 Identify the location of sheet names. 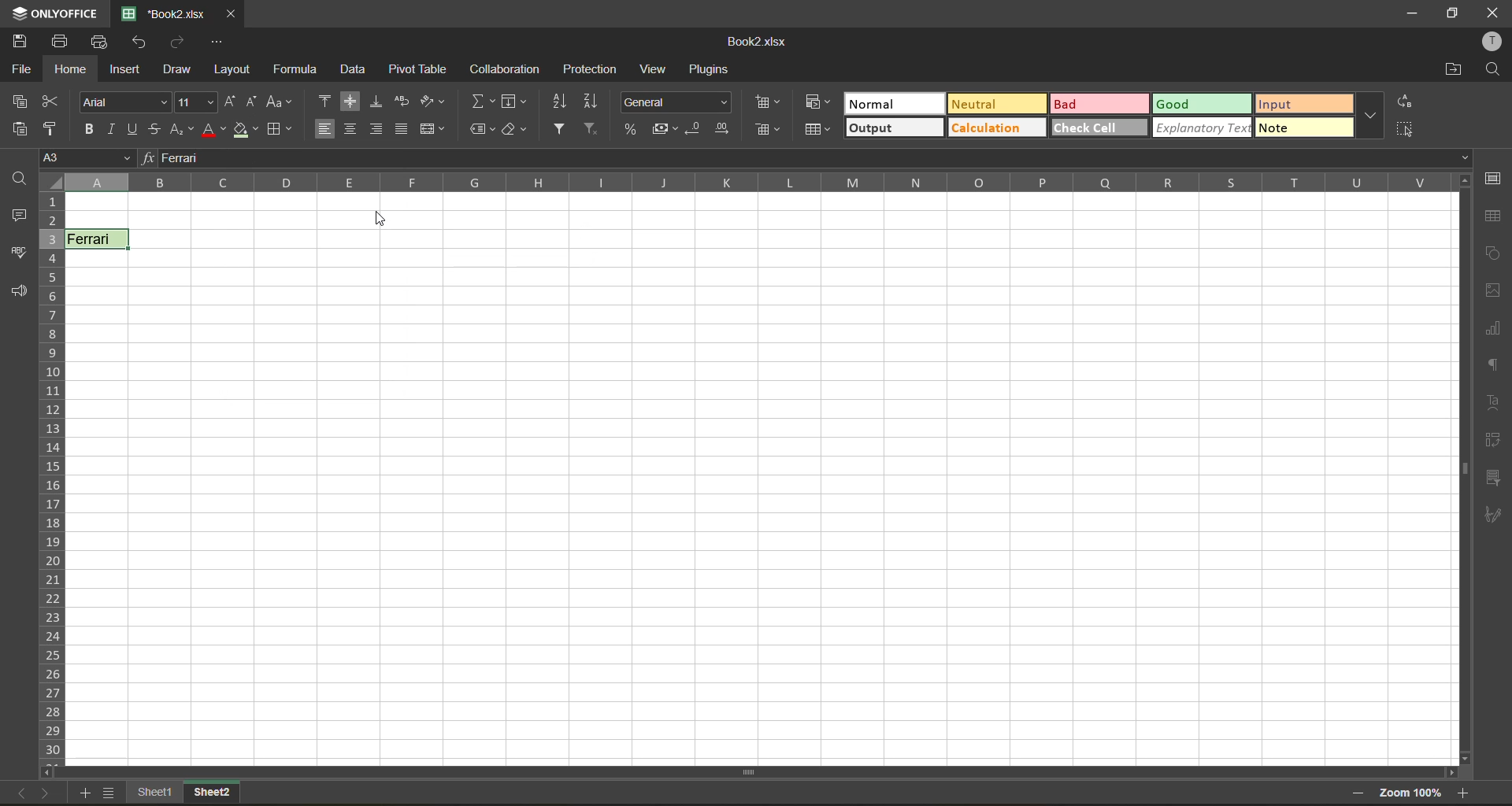
(157, 793).